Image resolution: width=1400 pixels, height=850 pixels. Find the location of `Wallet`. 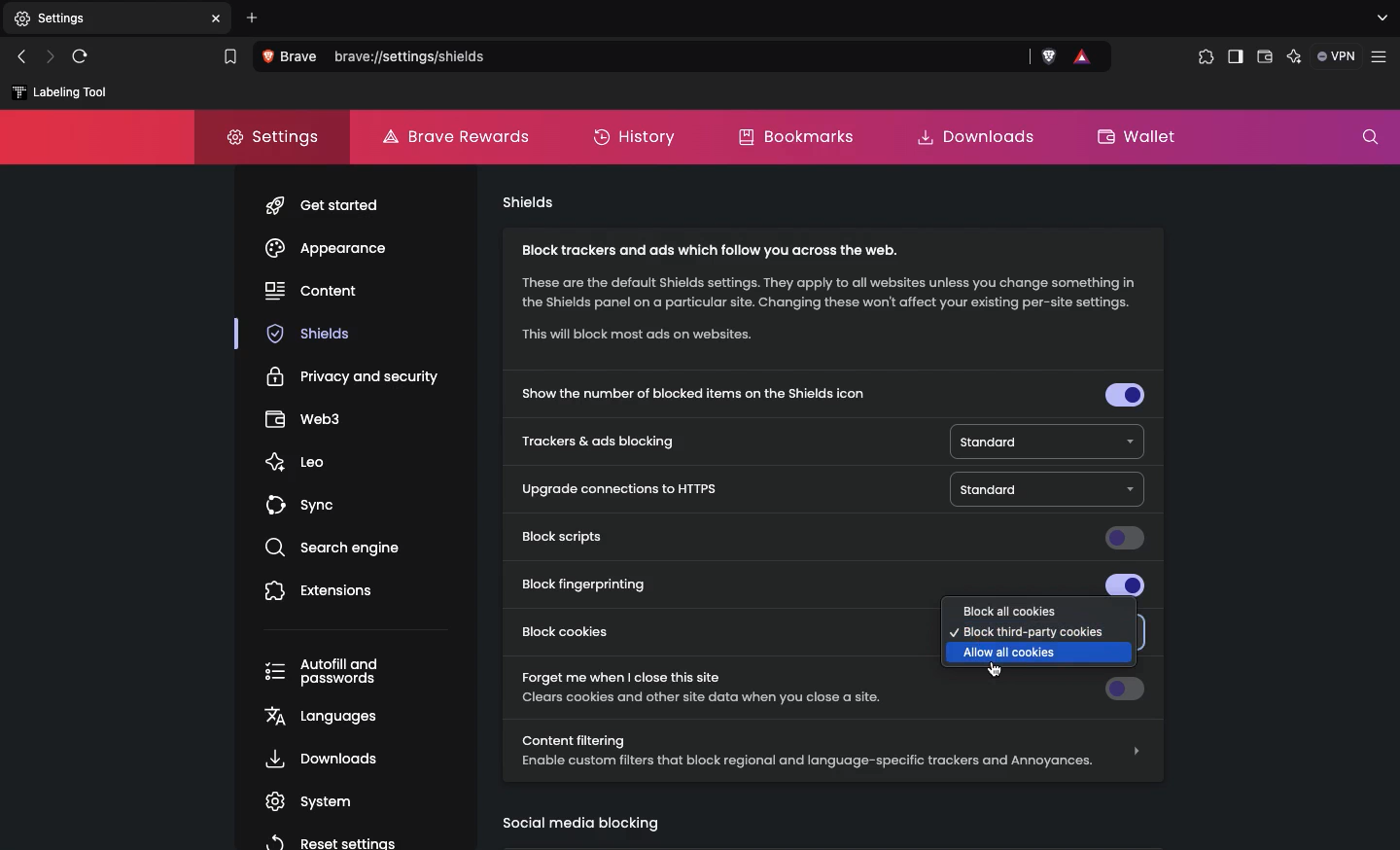

Wallet is located at coordinates (1139, 140).